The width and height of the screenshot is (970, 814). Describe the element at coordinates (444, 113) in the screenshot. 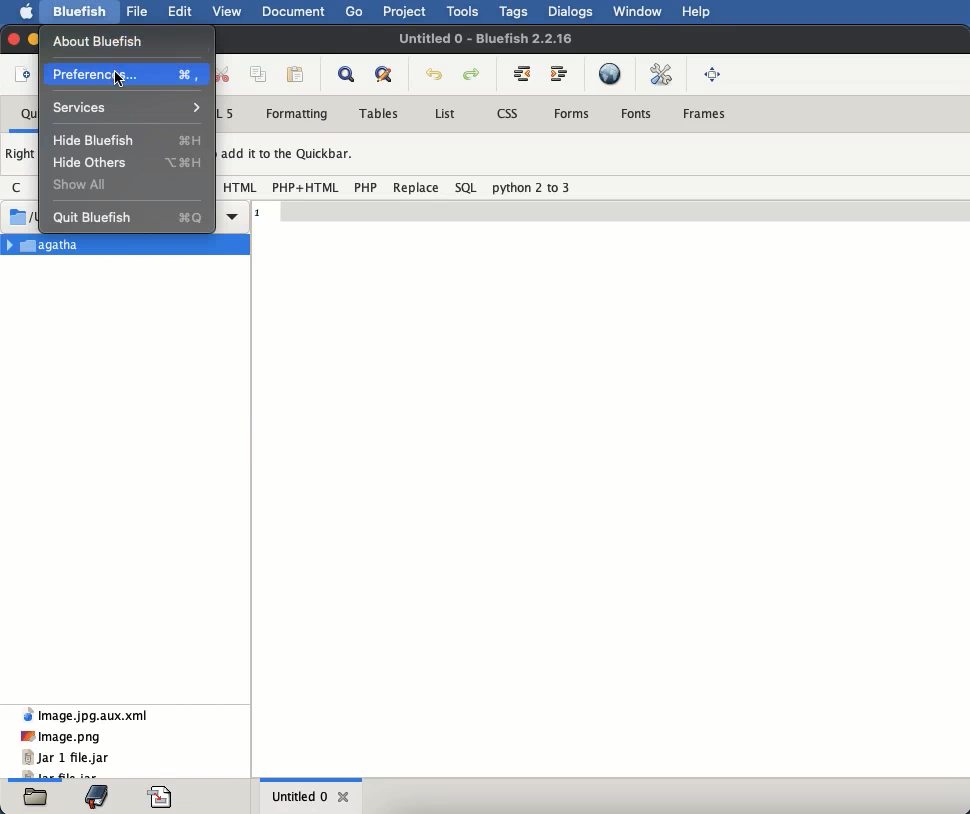

I see `list` at that location.